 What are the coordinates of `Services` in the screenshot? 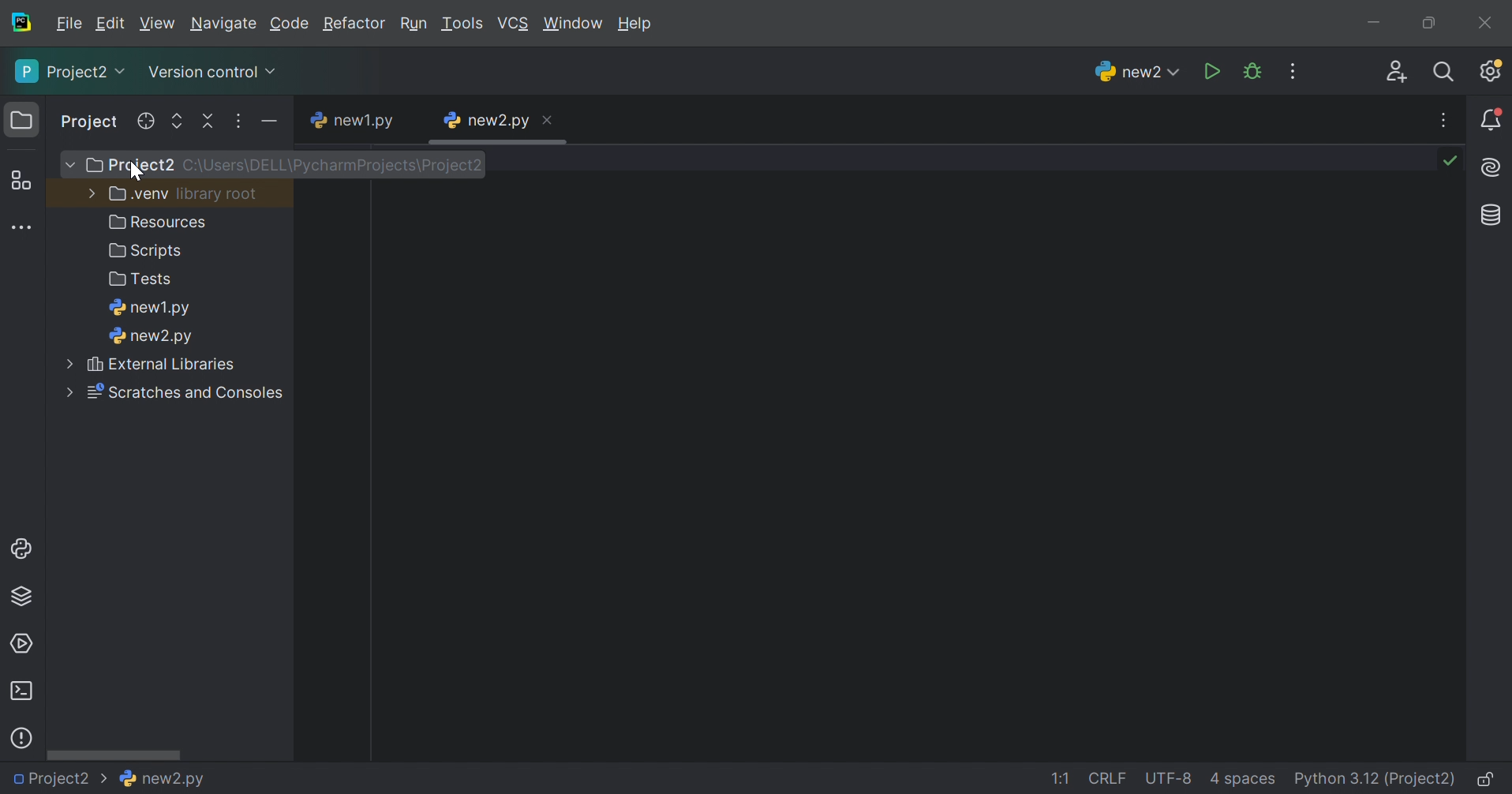 It's located at (23, 642).